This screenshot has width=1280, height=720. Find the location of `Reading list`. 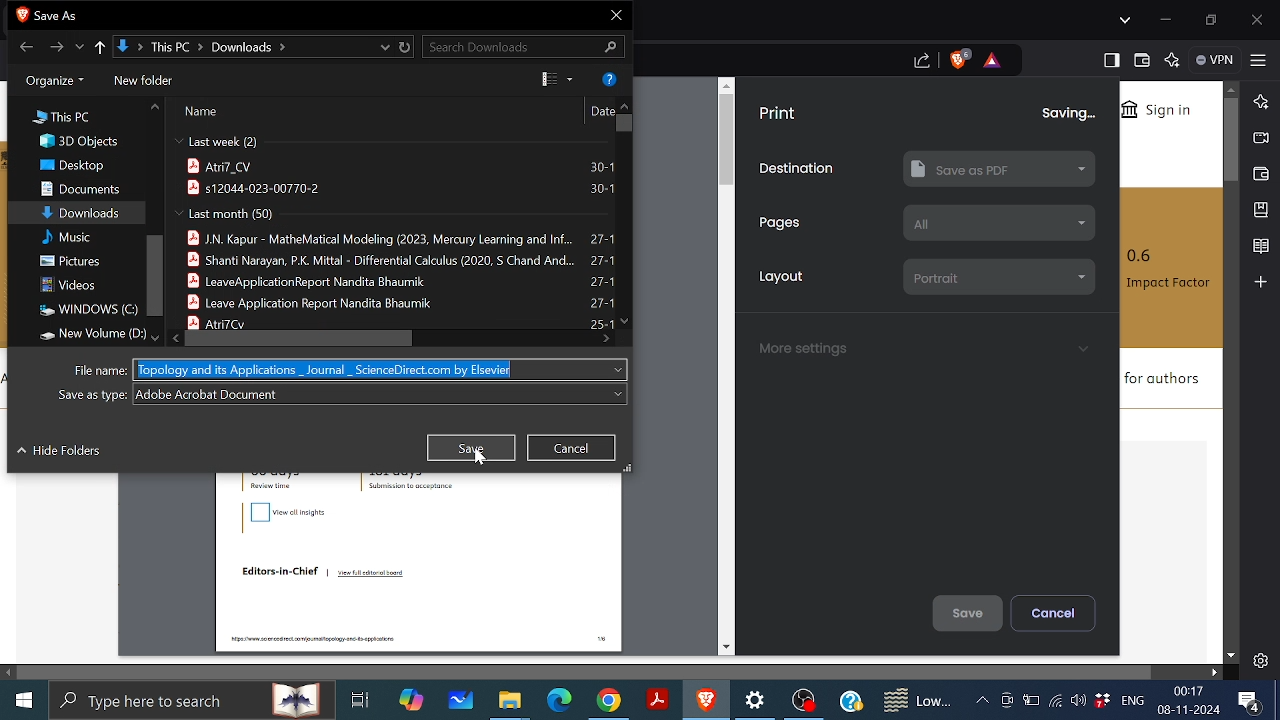

Reading list is located at coordinates (1260, 247).